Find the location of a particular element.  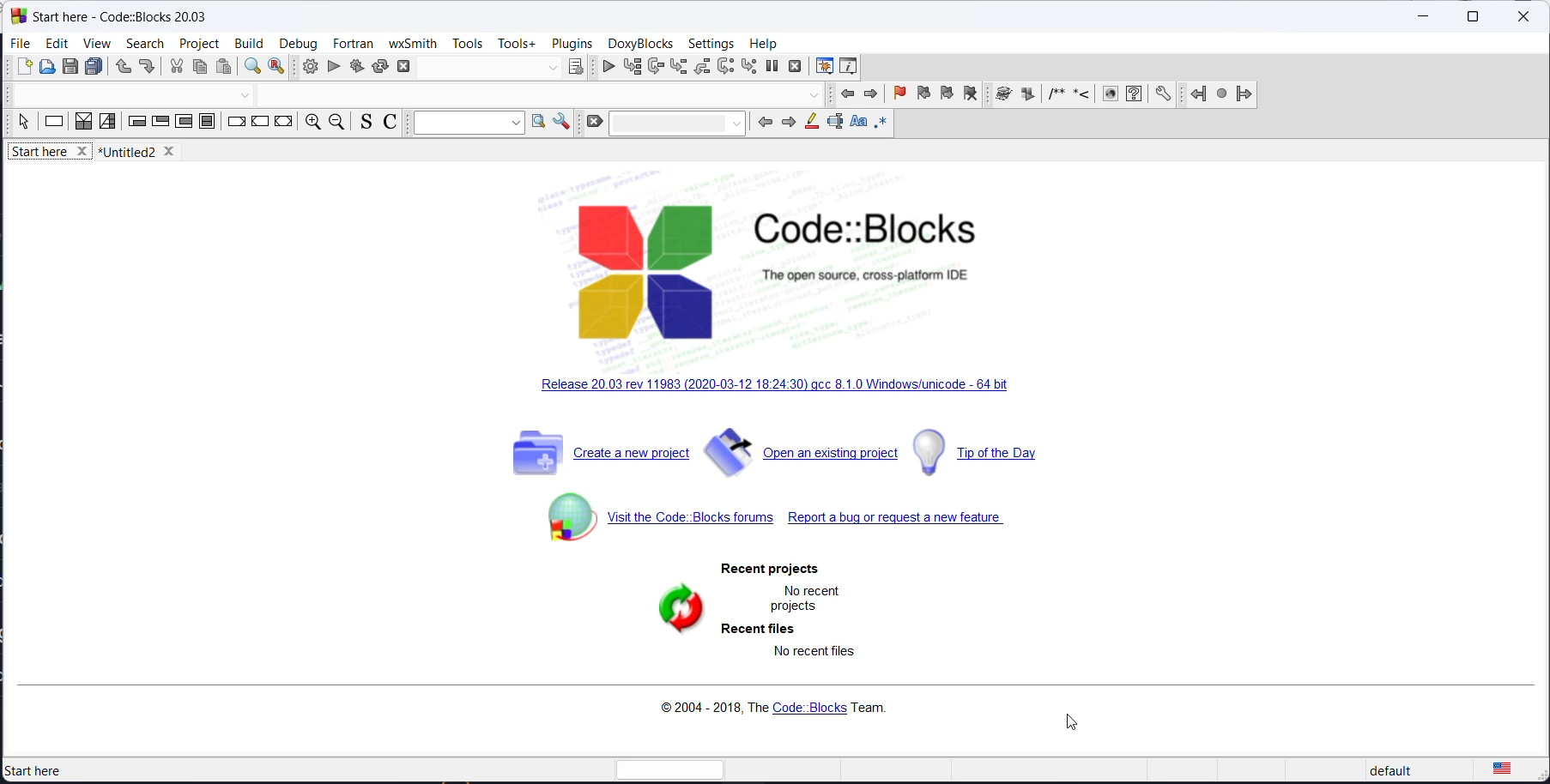

dropdown is located at coordinates (552, 69).